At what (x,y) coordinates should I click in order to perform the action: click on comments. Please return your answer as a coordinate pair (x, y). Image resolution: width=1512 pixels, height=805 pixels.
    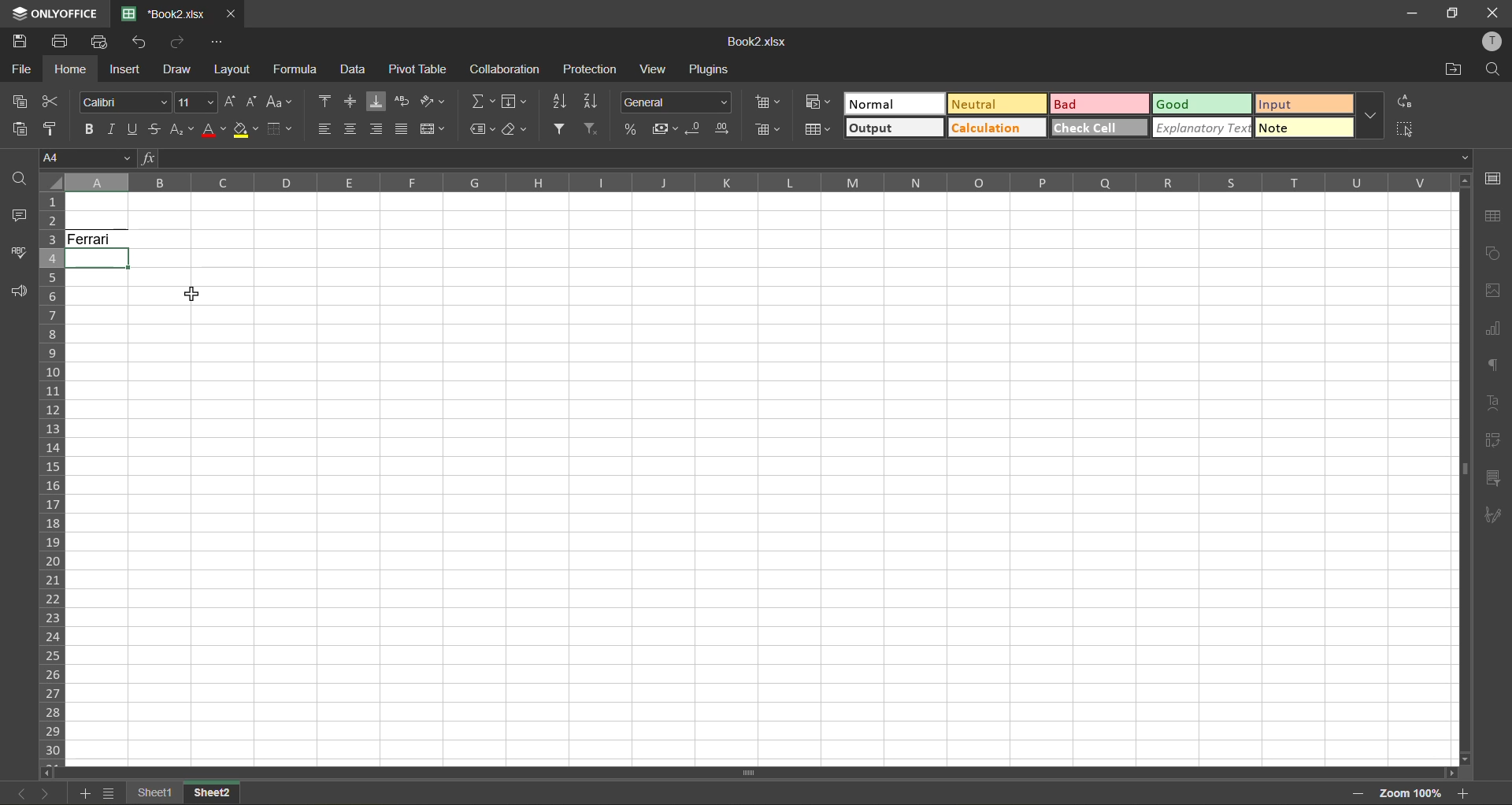
    Looking at the image, I should click on (15, 215).